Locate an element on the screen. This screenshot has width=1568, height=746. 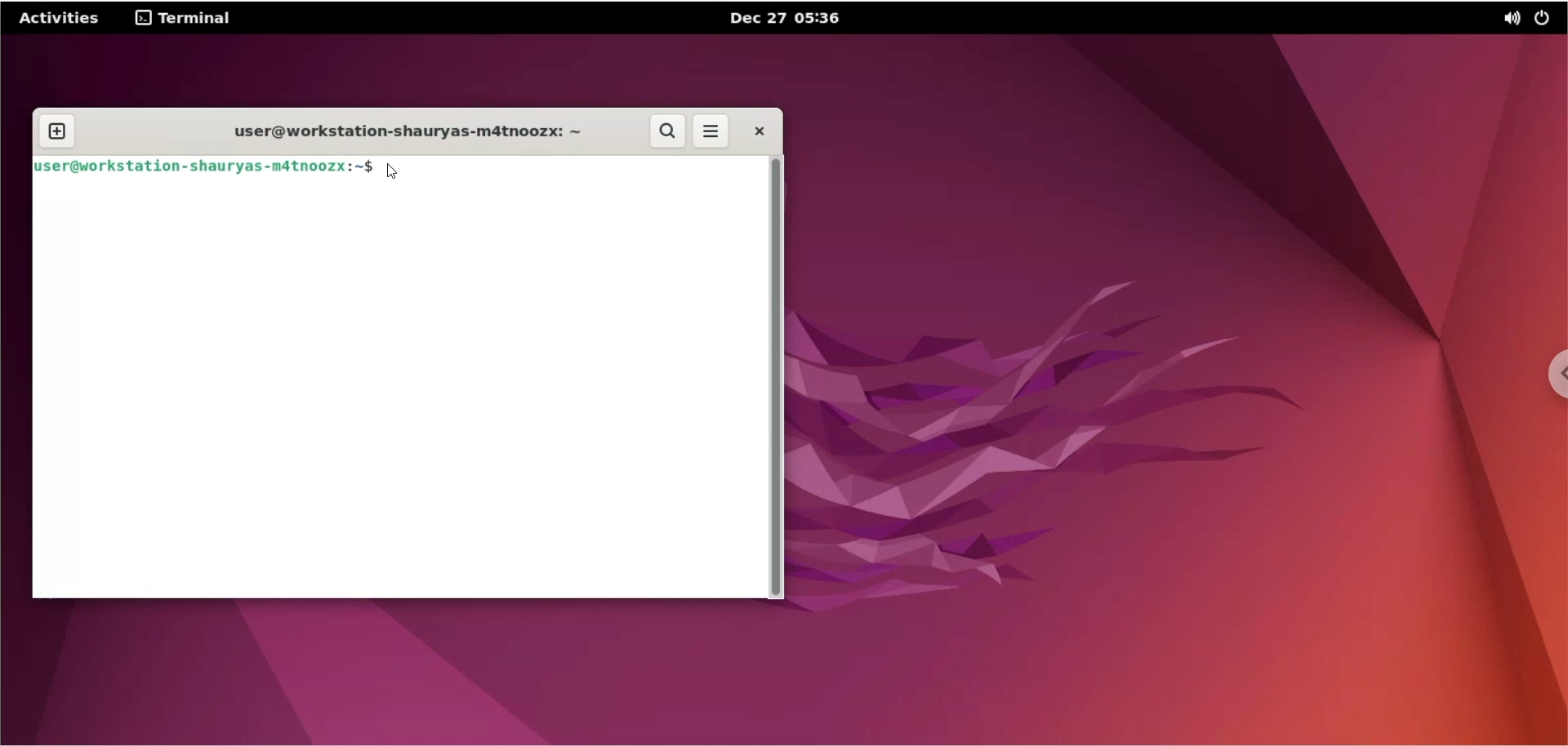
user@workstation-shauryas-m4tnoozx: ~$ is located at coordinates (207, 165).